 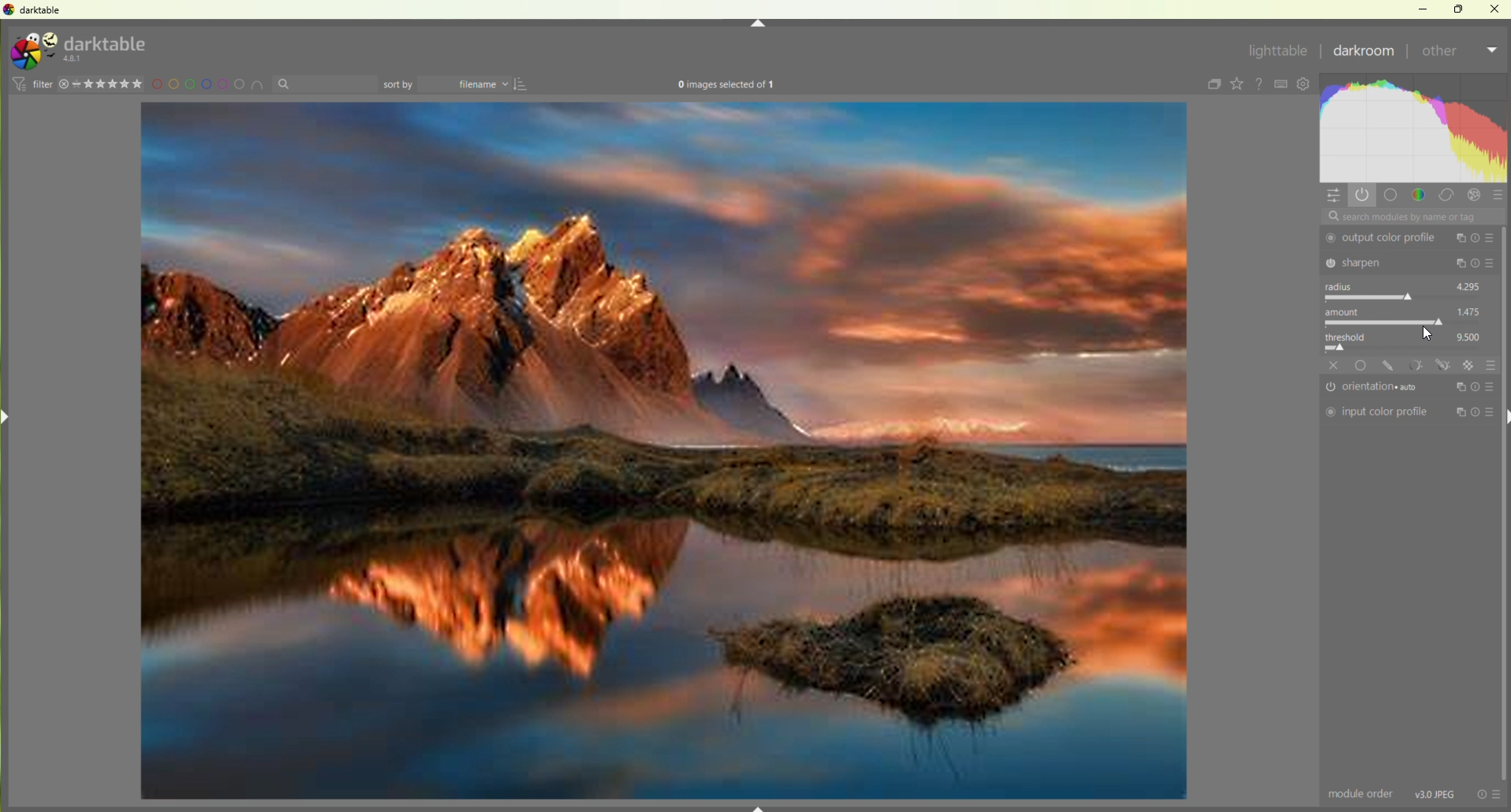 I want to click on Details , so click(x=1436, y=793).